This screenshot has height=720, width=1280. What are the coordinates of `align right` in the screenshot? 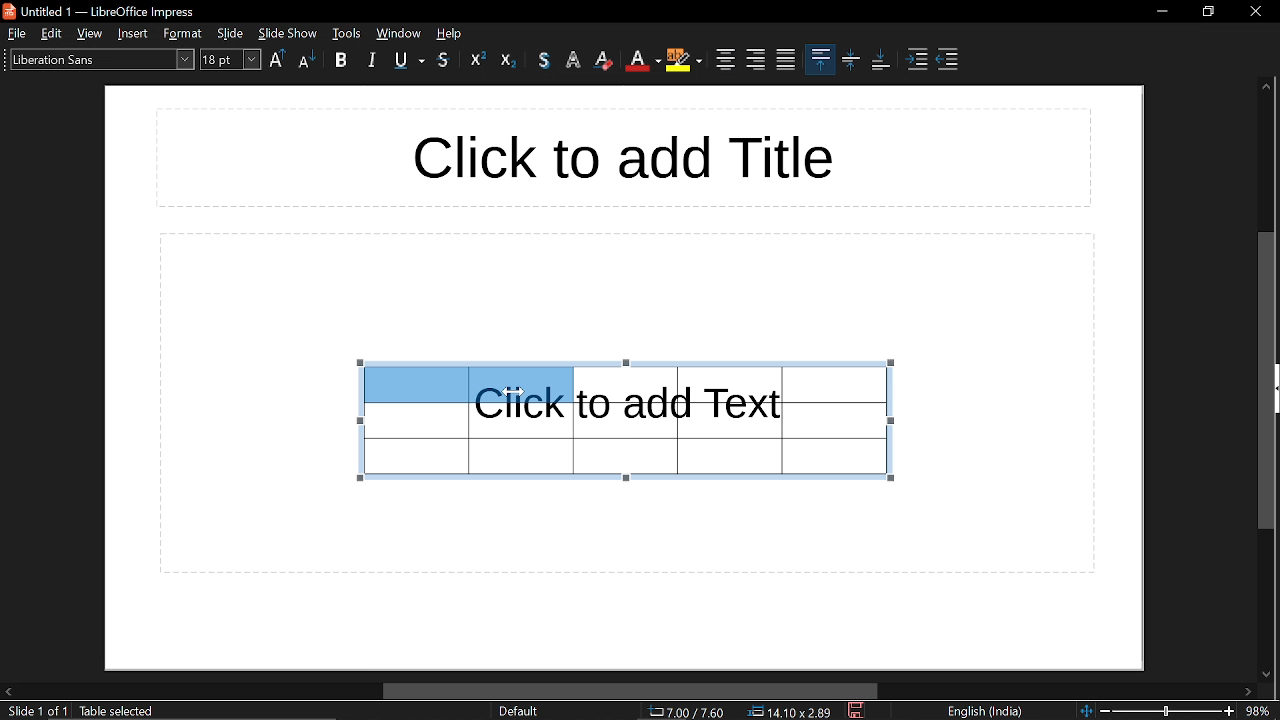 It's located at (756, 59).